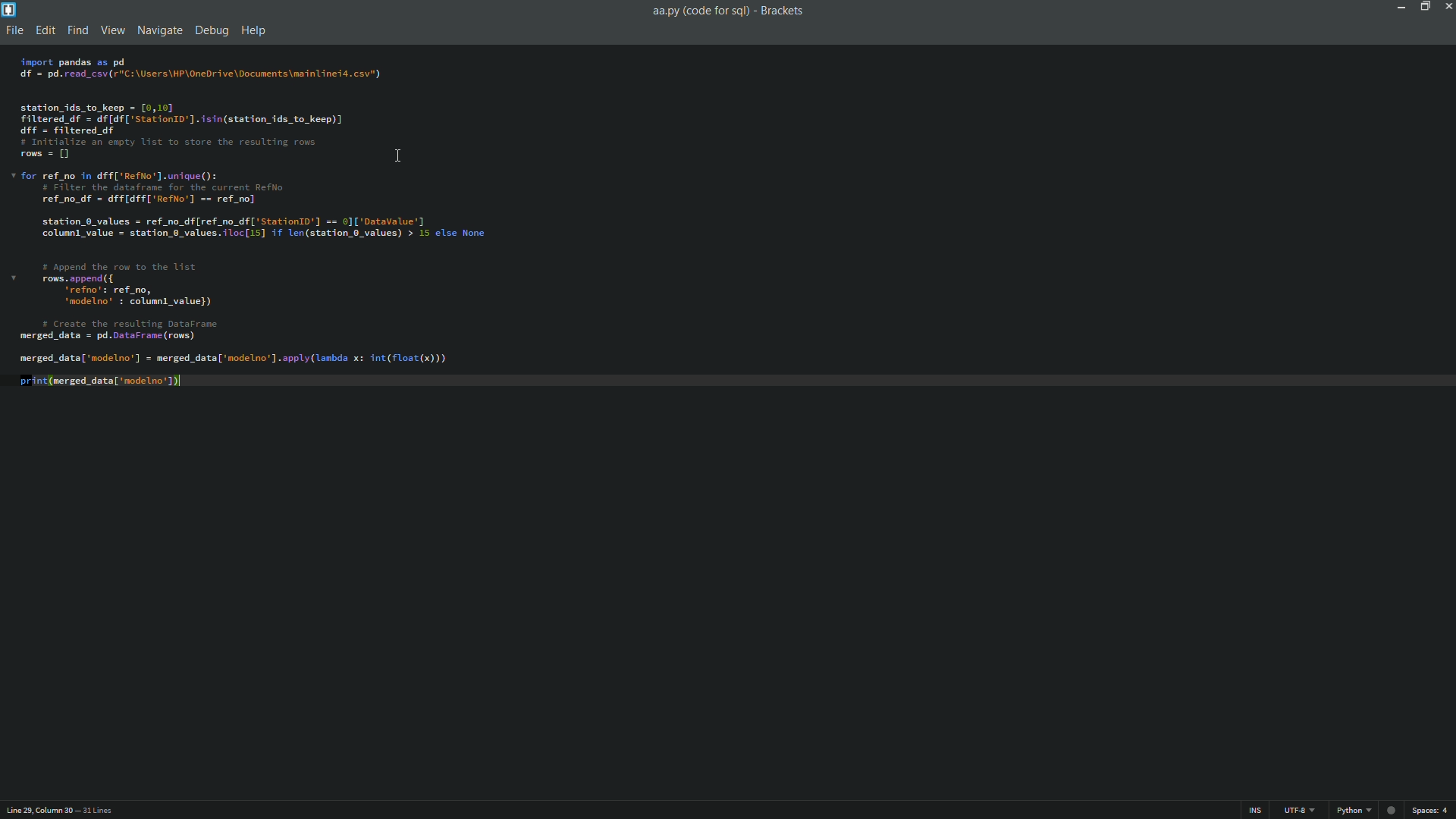 The image size is (1456, 819). I want to click on navigate menu, so click(160, 30).